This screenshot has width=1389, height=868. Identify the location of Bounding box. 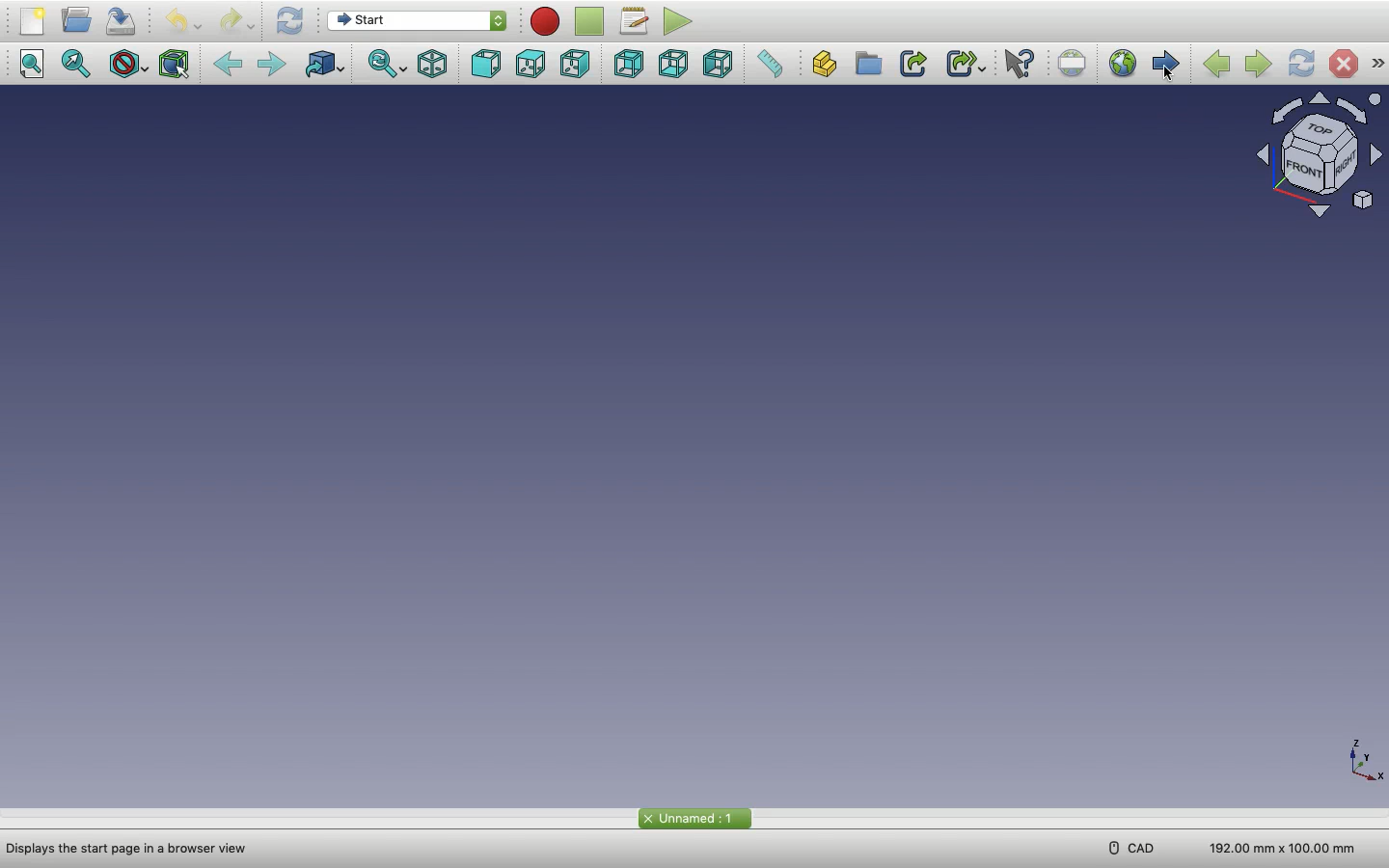
(173, 66).